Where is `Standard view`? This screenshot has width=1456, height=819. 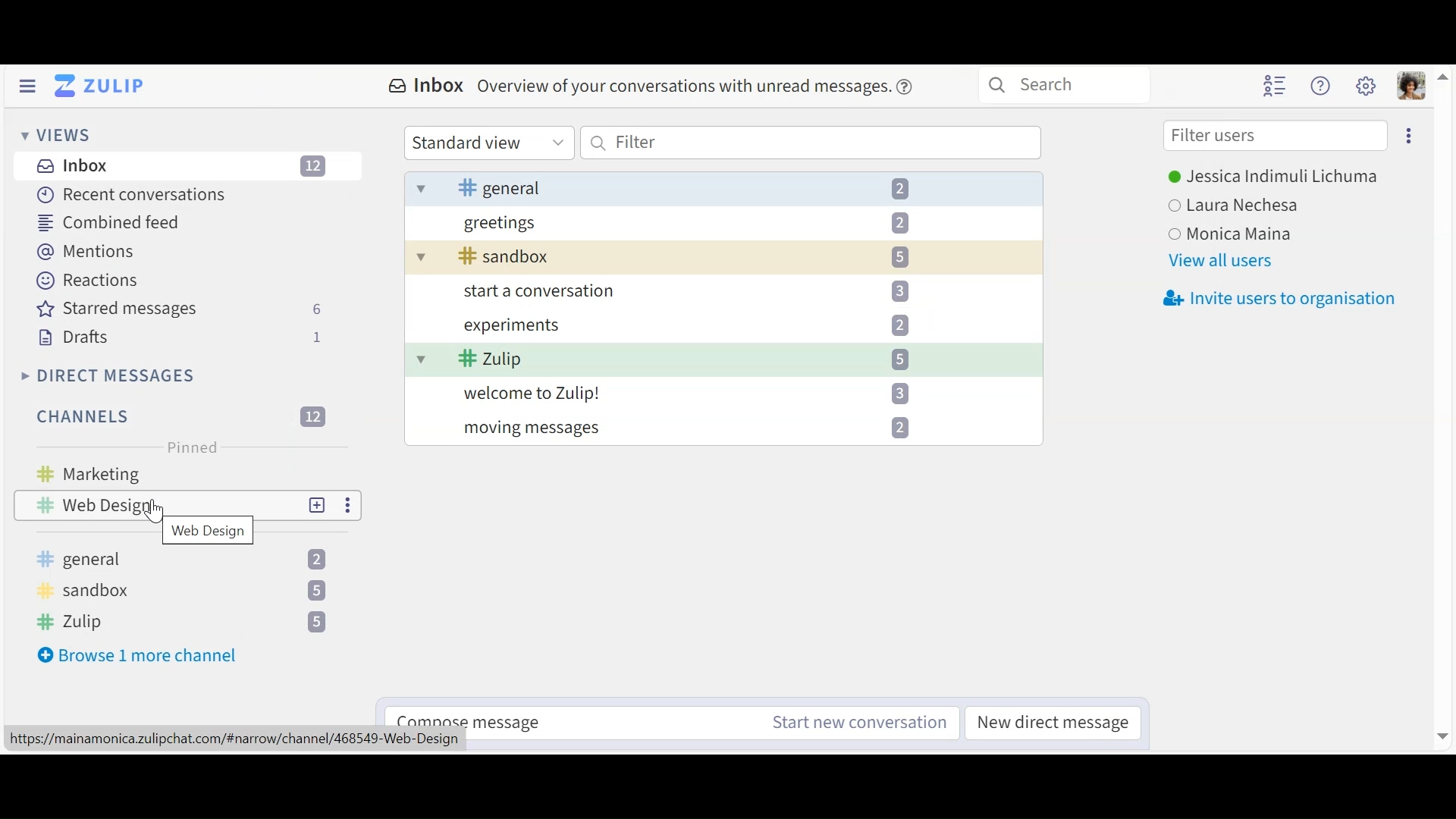 Standard view is located at coordinates (489, 143).